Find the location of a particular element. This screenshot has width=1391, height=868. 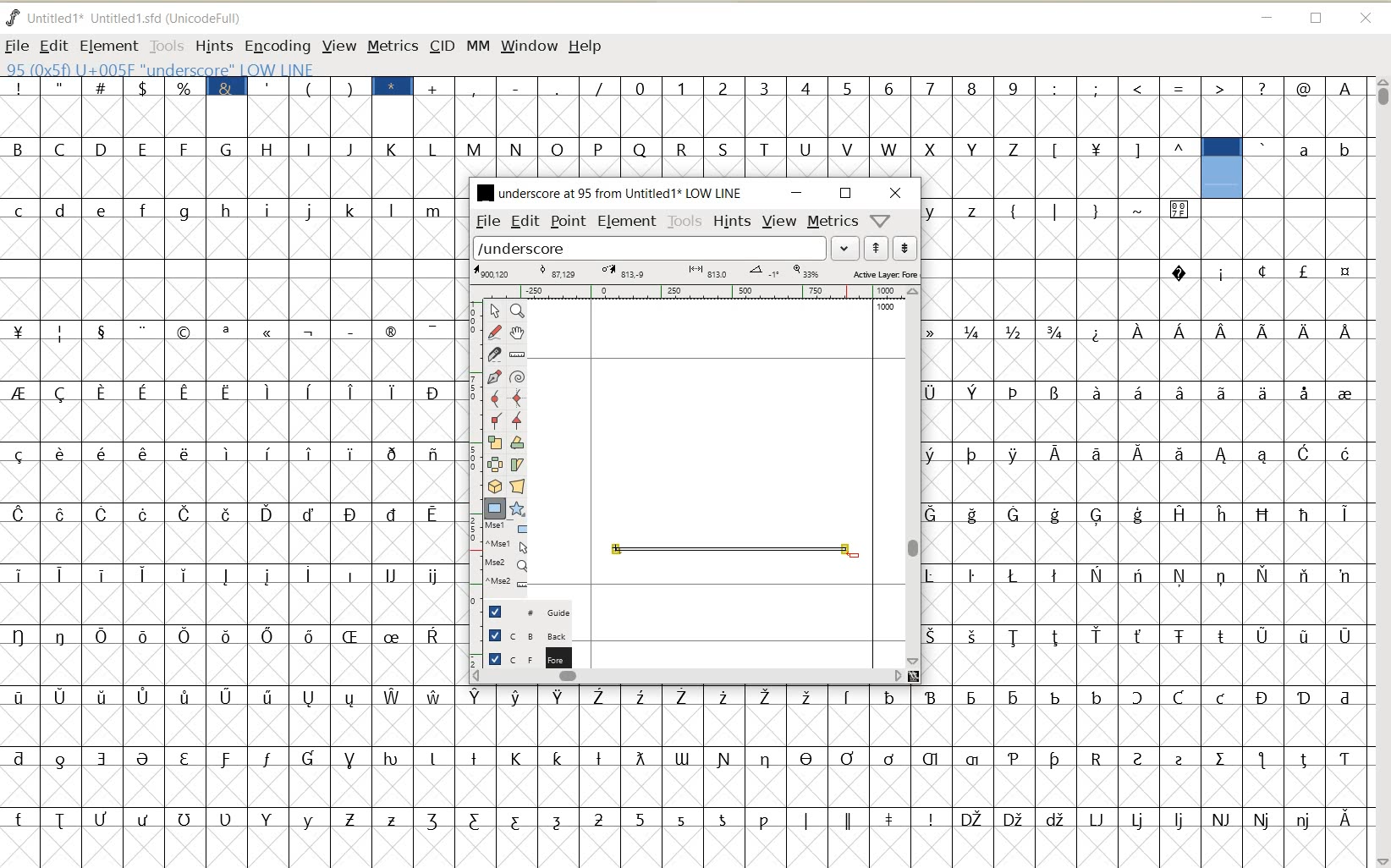

FONT NAME is located at coordinates (608, 192).